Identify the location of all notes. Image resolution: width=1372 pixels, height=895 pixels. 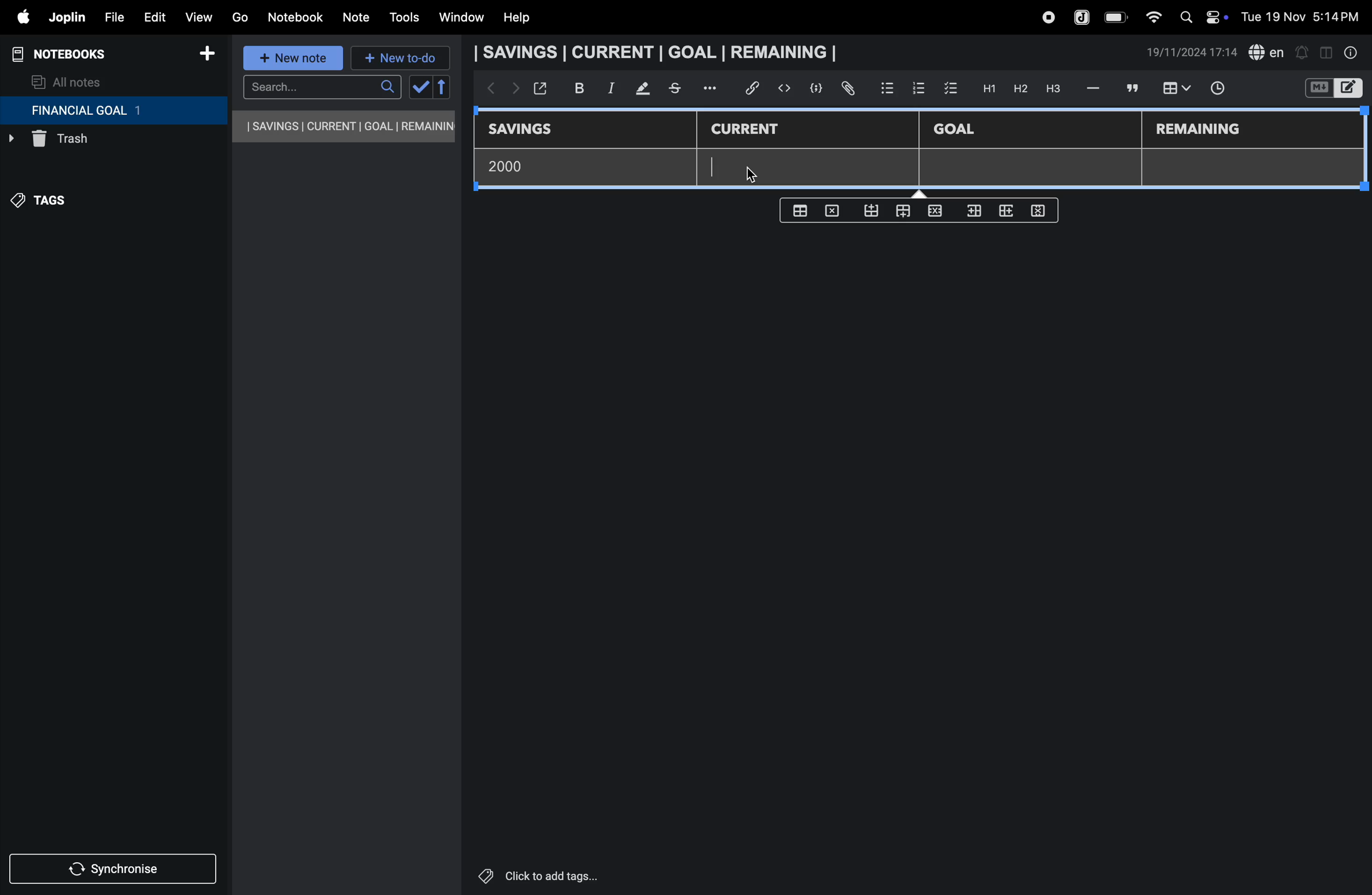
(67, 81).